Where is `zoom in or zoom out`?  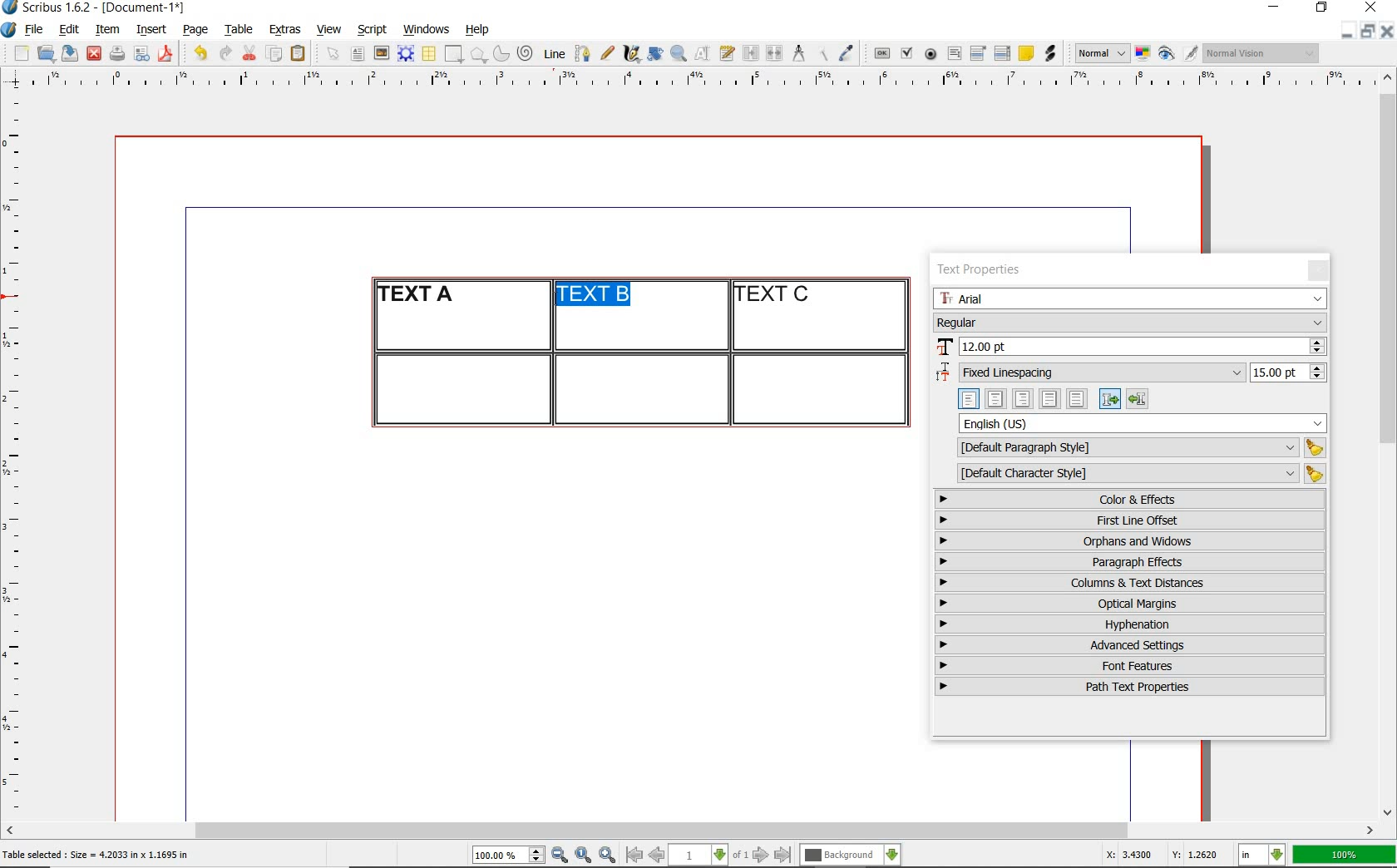
zoom in or zoom out is located at coordinates (679, 53).